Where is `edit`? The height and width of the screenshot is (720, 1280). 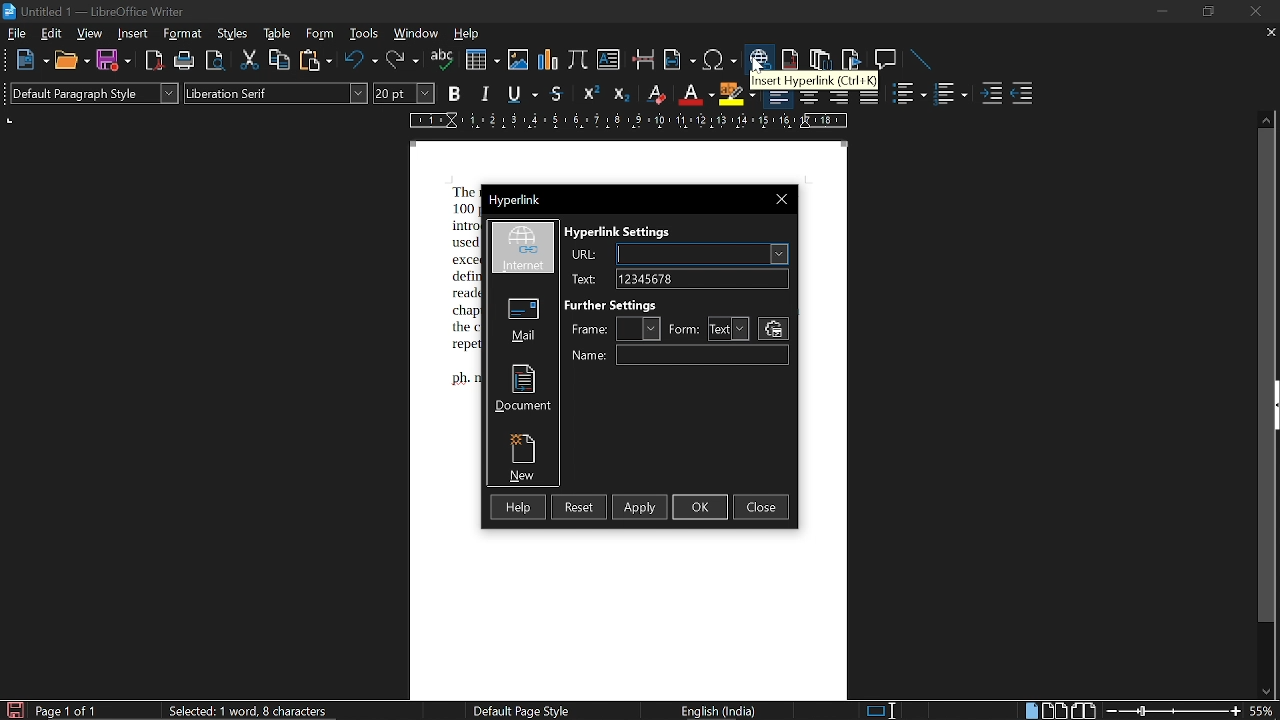 edit is located at coordinates (52, 35).